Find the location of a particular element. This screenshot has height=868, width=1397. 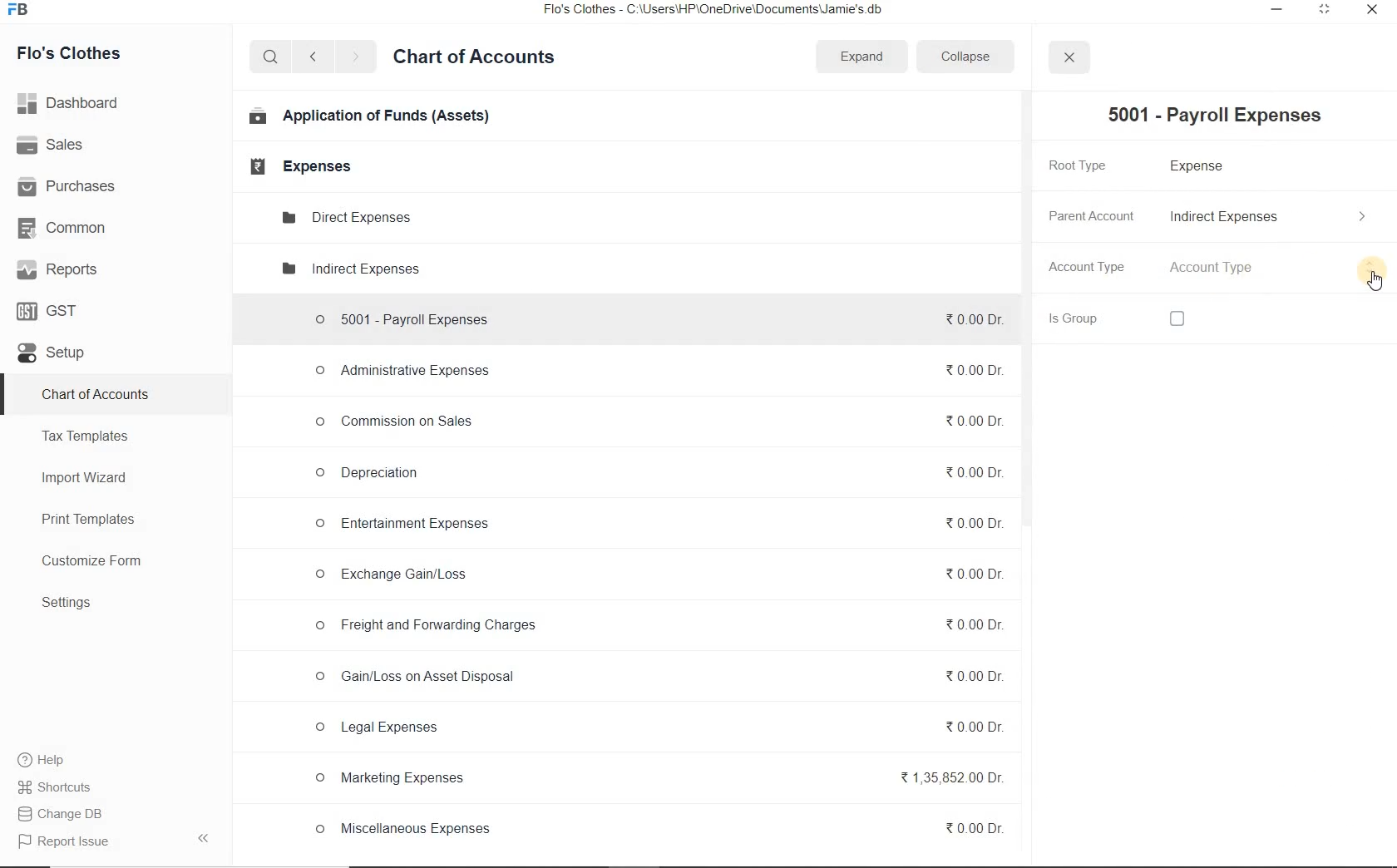

Indirect expenses is located at coordinates (348, 270).